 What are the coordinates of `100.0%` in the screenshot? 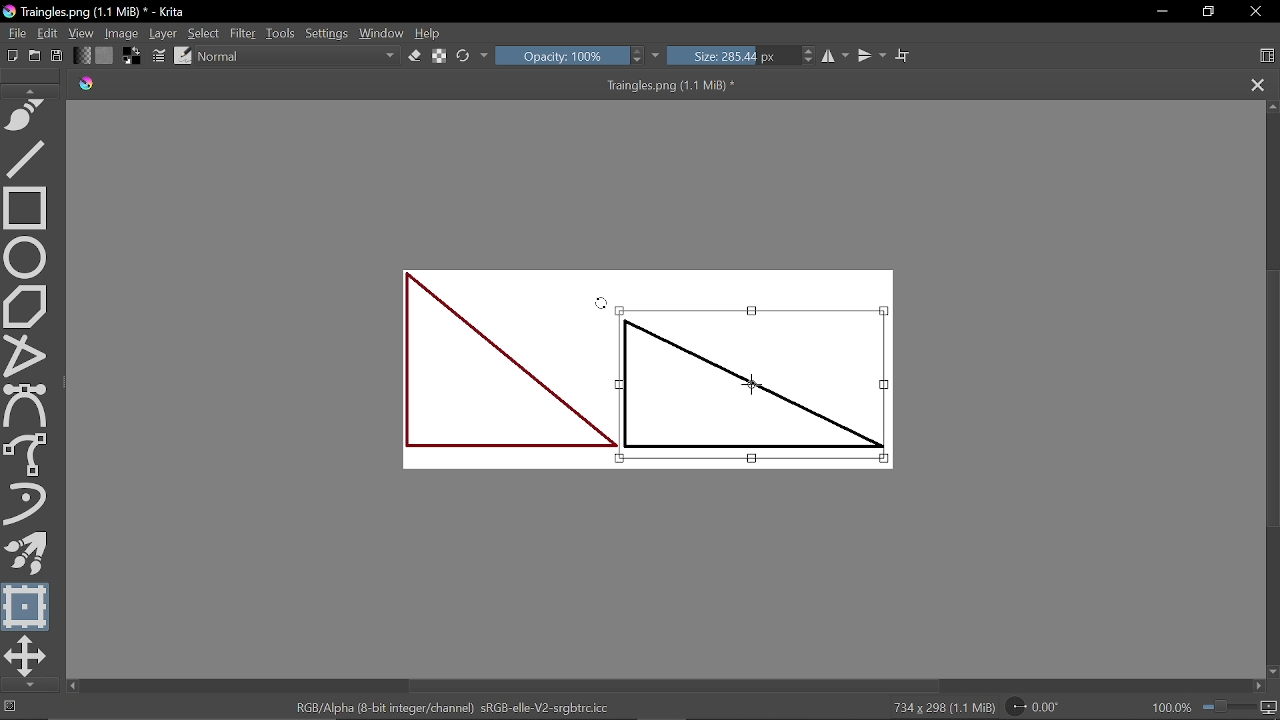 It's located at (1215, 707).